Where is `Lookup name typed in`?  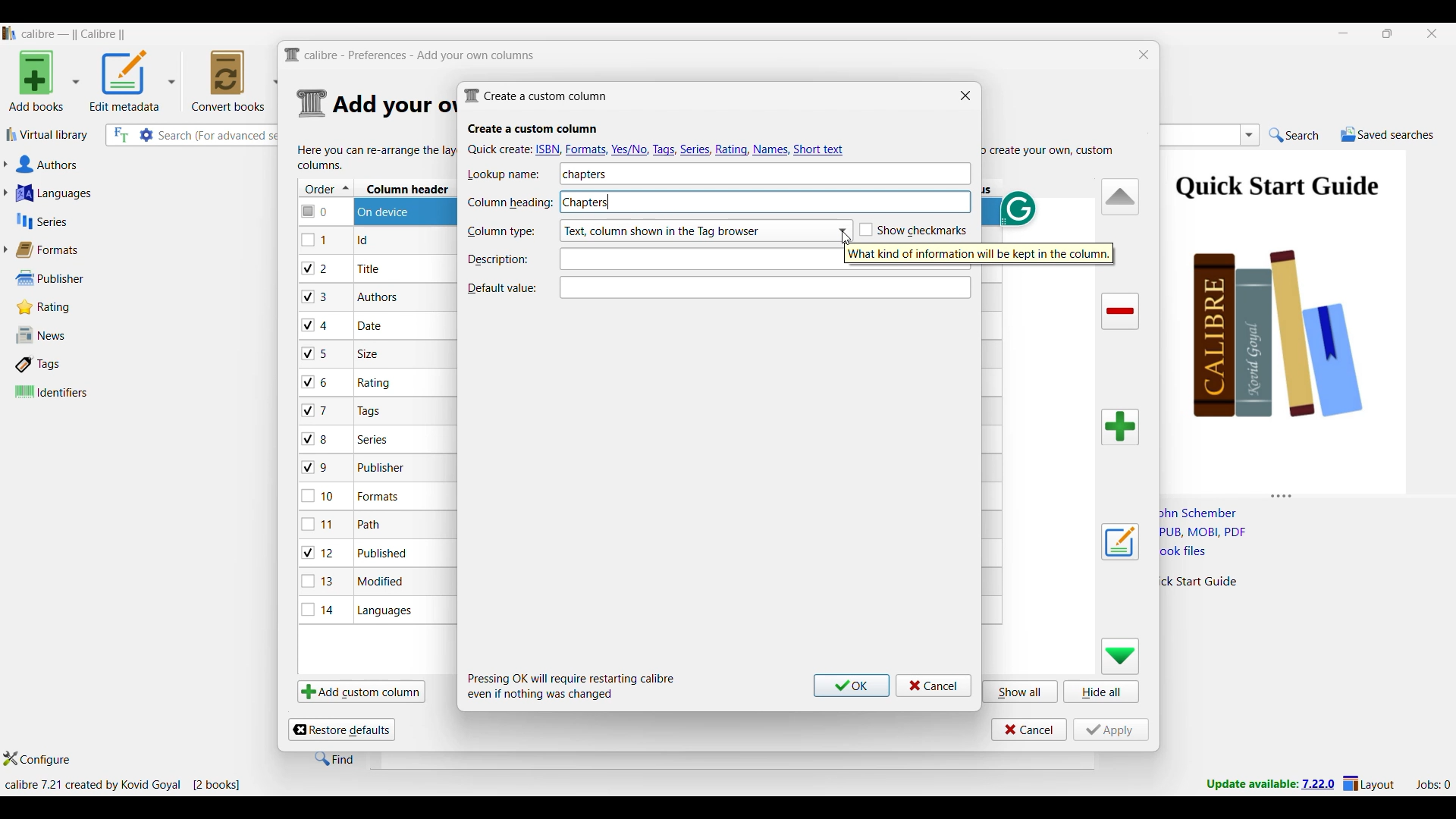 Lookup name typed in is located at coordinates (585, 174).